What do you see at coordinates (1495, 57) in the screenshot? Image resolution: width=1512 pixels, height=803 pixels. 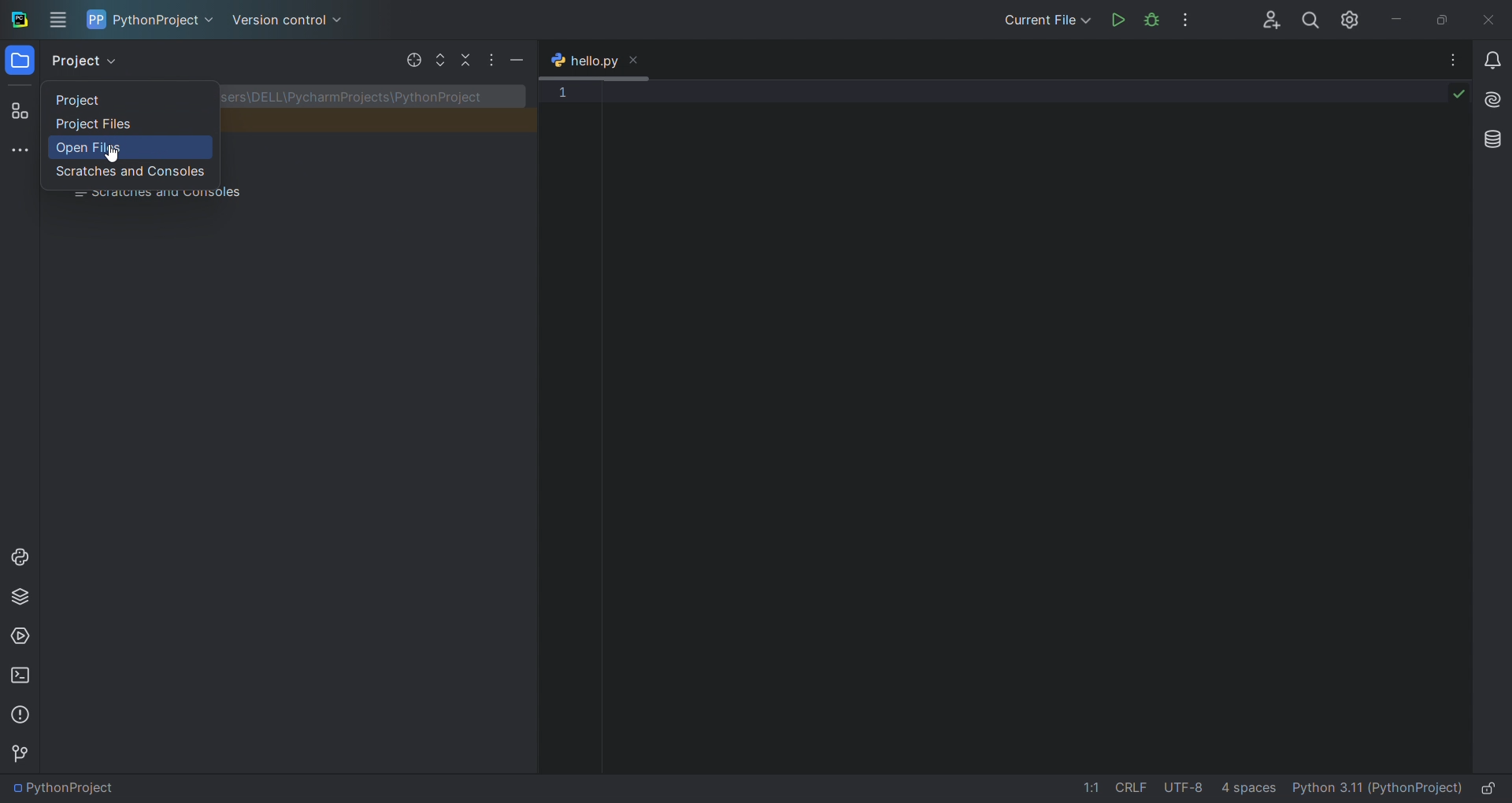 I see `notifications` at bounding box center [1495, 57].